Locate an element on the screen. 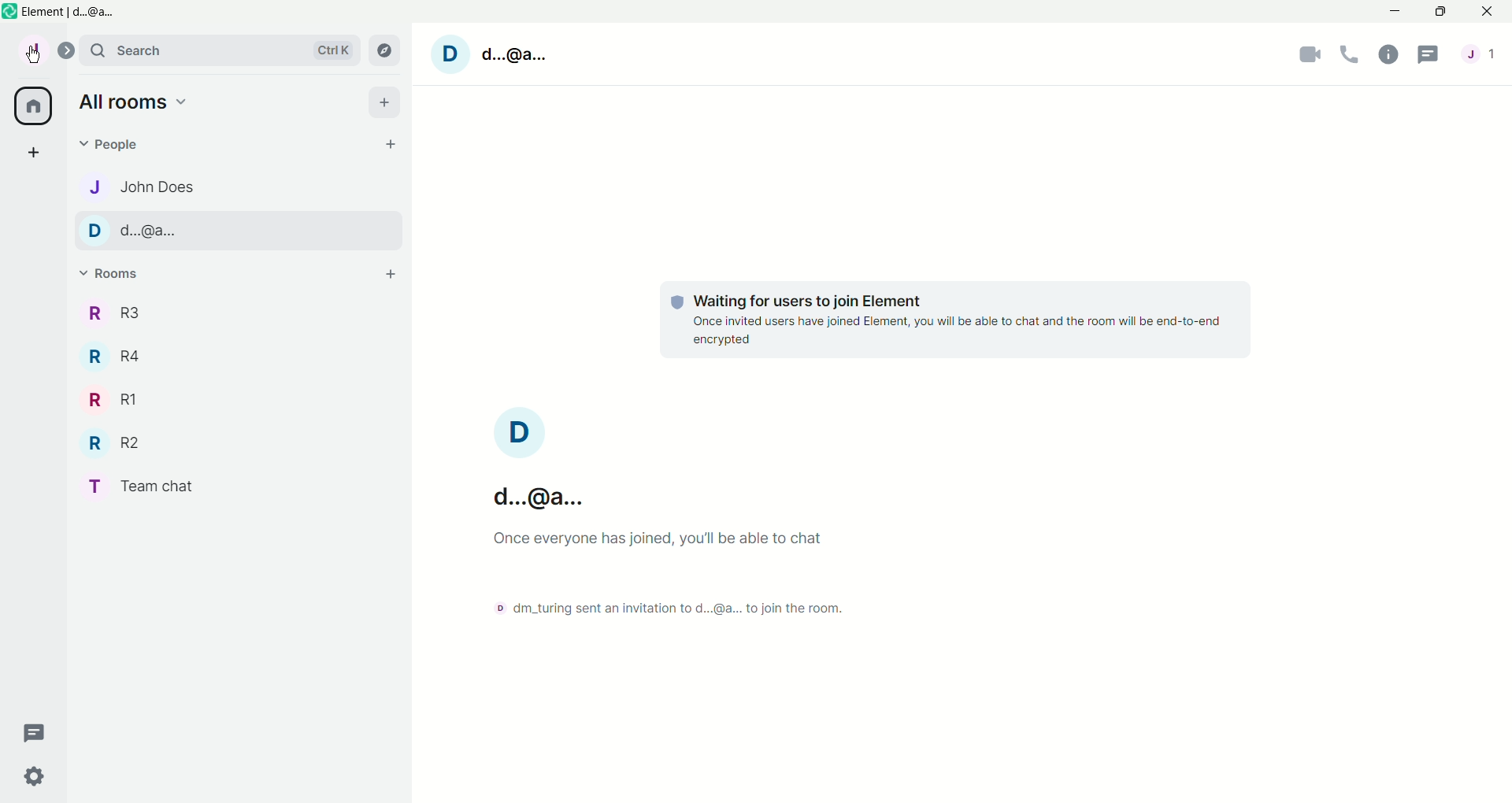  Once invited users have joined Element, you will be able to chat and the room will be end-to-end encrypted is located at coordinates (956, 331).